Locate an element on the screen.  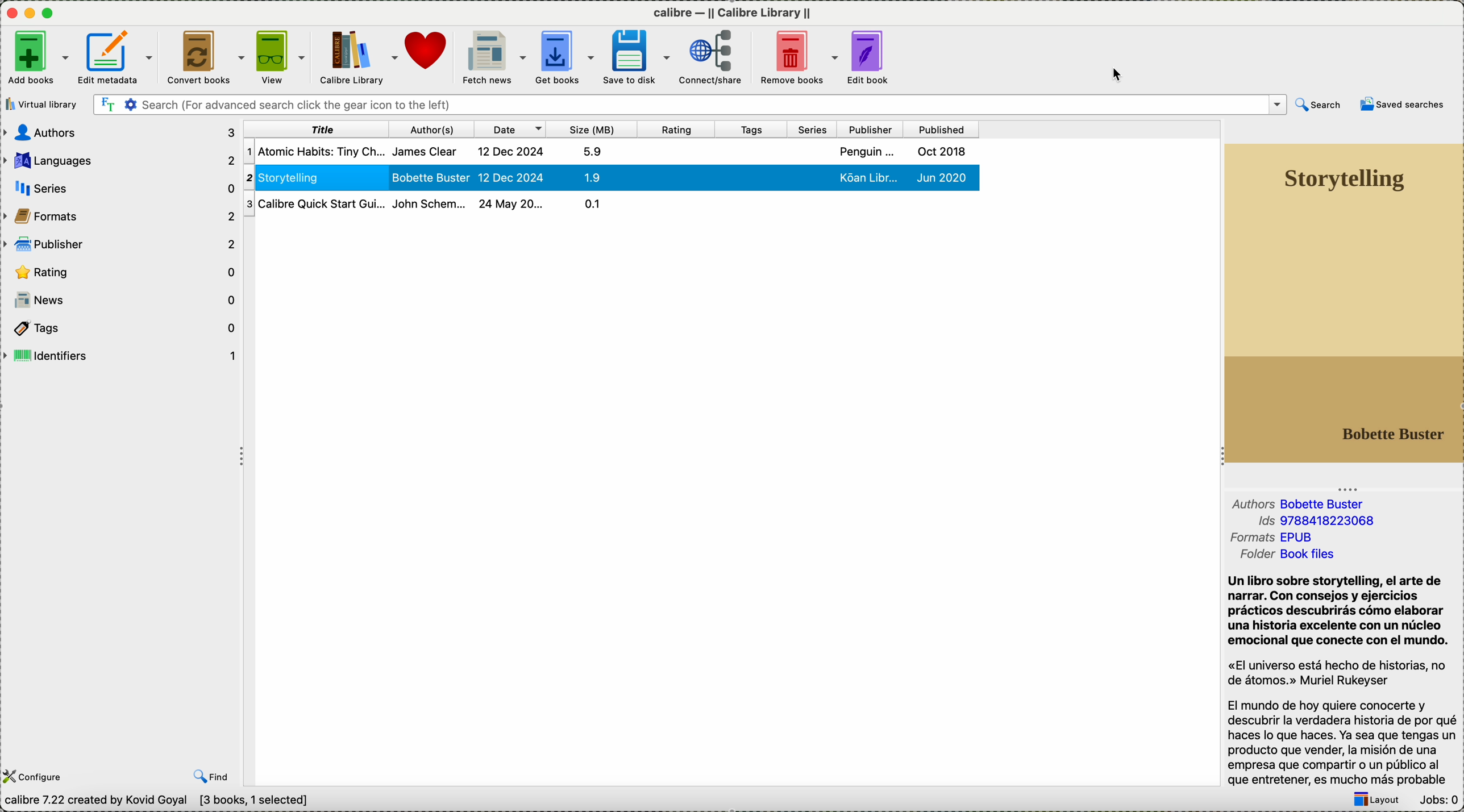
saved searches is located at coordinates (1400, 105).